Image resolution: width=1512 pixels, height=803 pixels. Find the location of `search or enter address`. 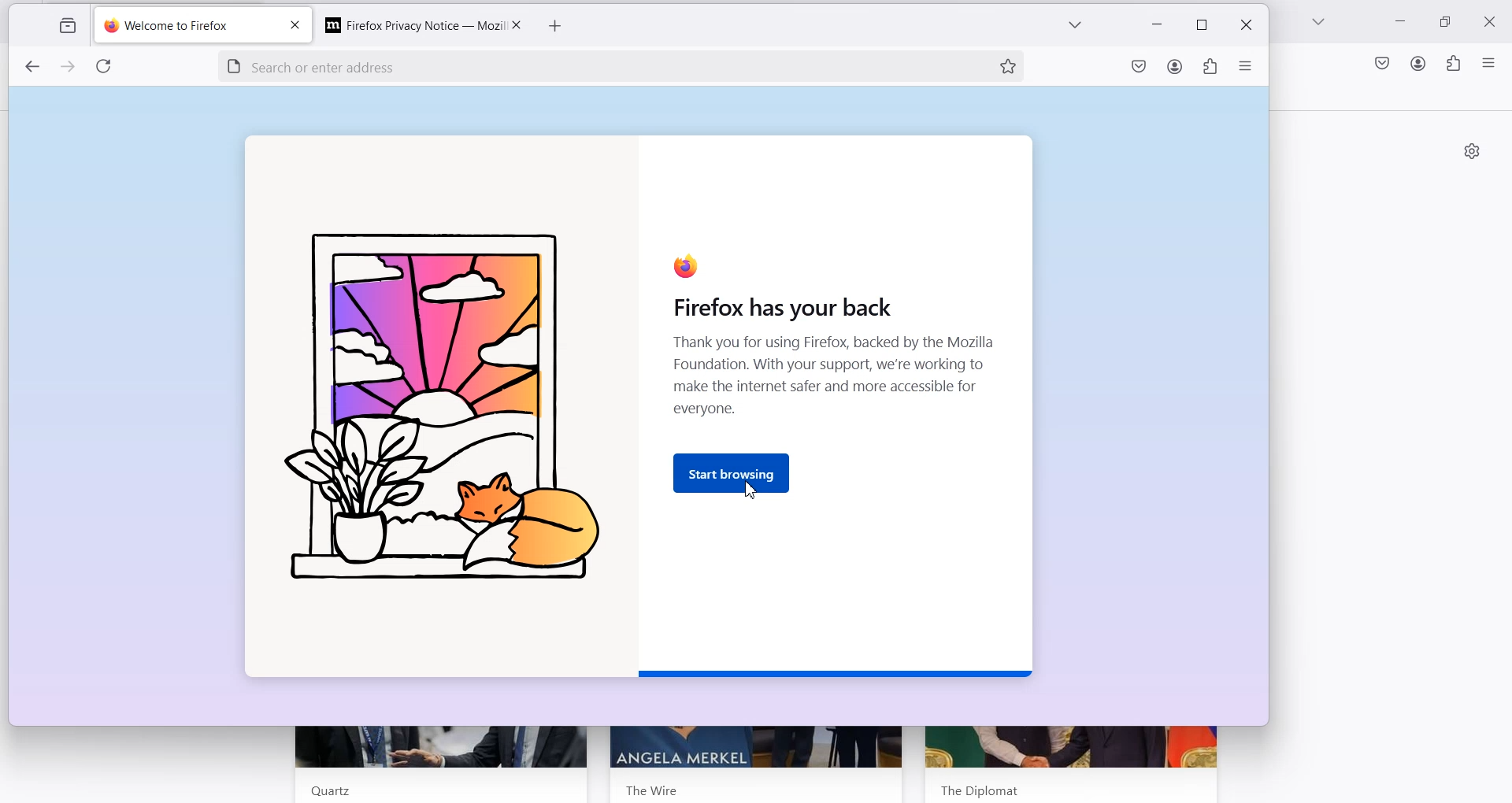

search or enter address is located at coordinates (580, 65).